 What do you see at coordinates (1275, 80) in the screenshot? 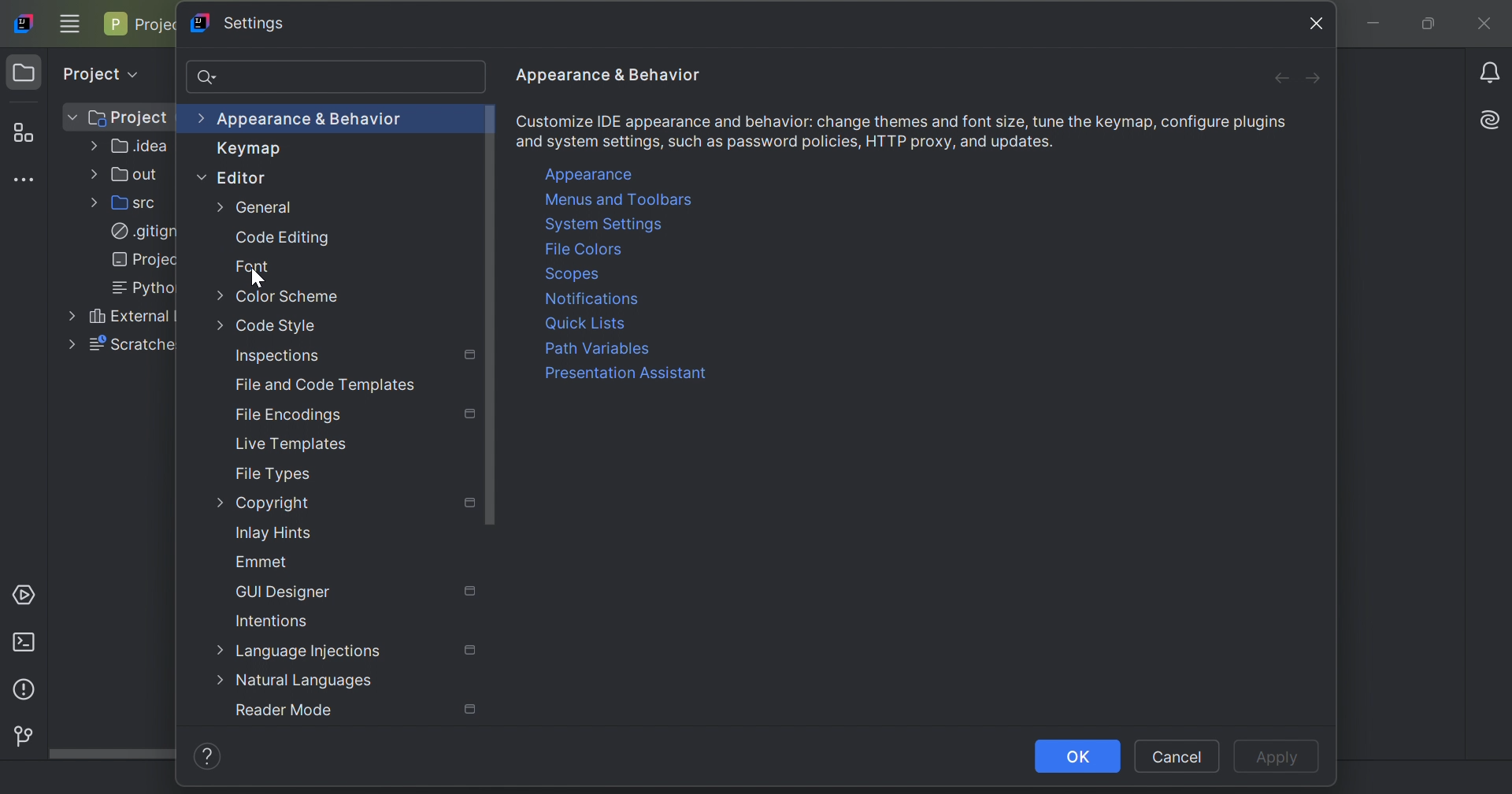
I see `back` at bounding box center [1275, 80].